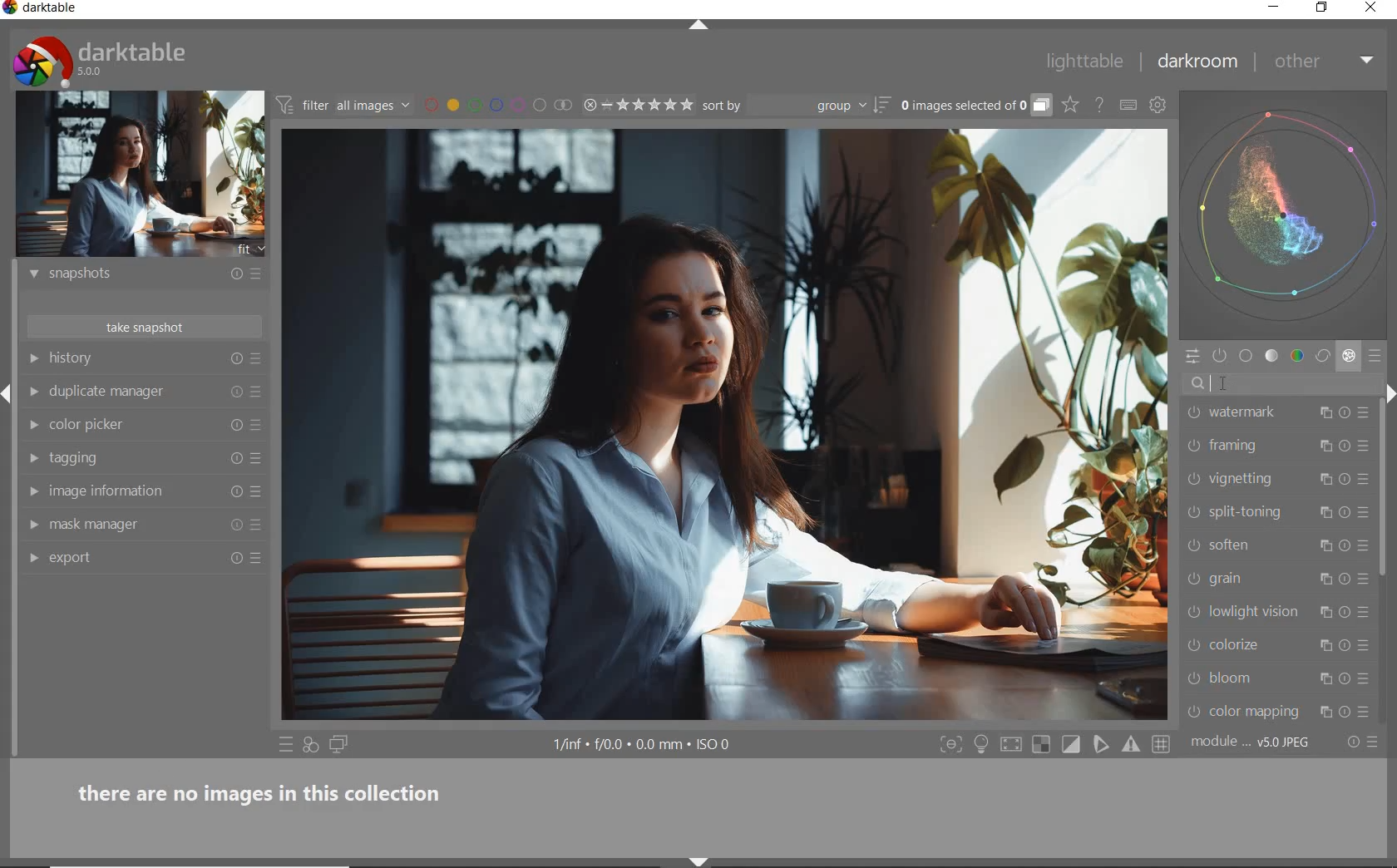 The width and height of the screenshot is (1397, 868). I want to click on preset and preferences, so click(1365, 446).